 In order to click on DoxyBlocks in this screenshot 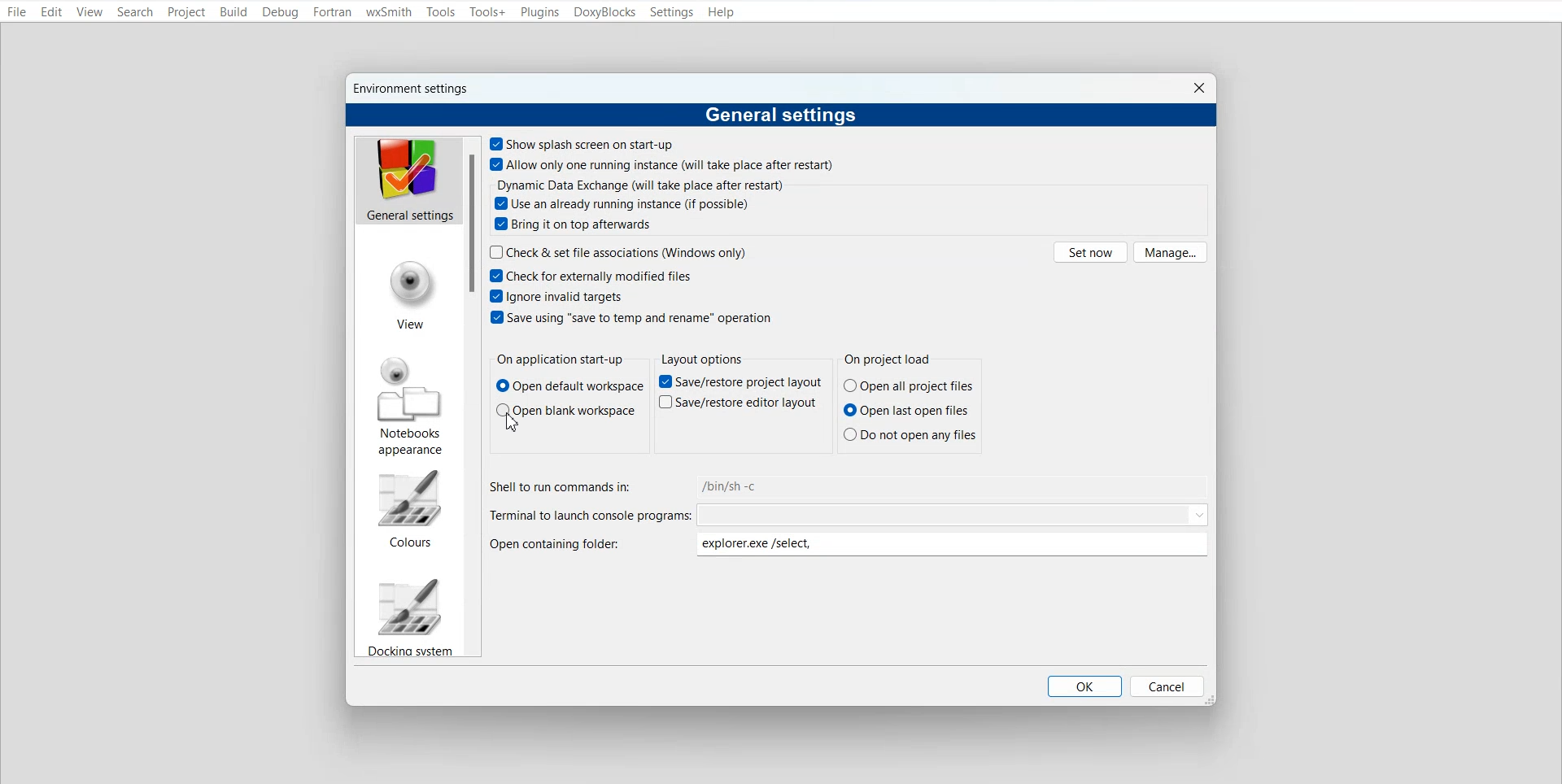, I will do `click(605, 12)`.